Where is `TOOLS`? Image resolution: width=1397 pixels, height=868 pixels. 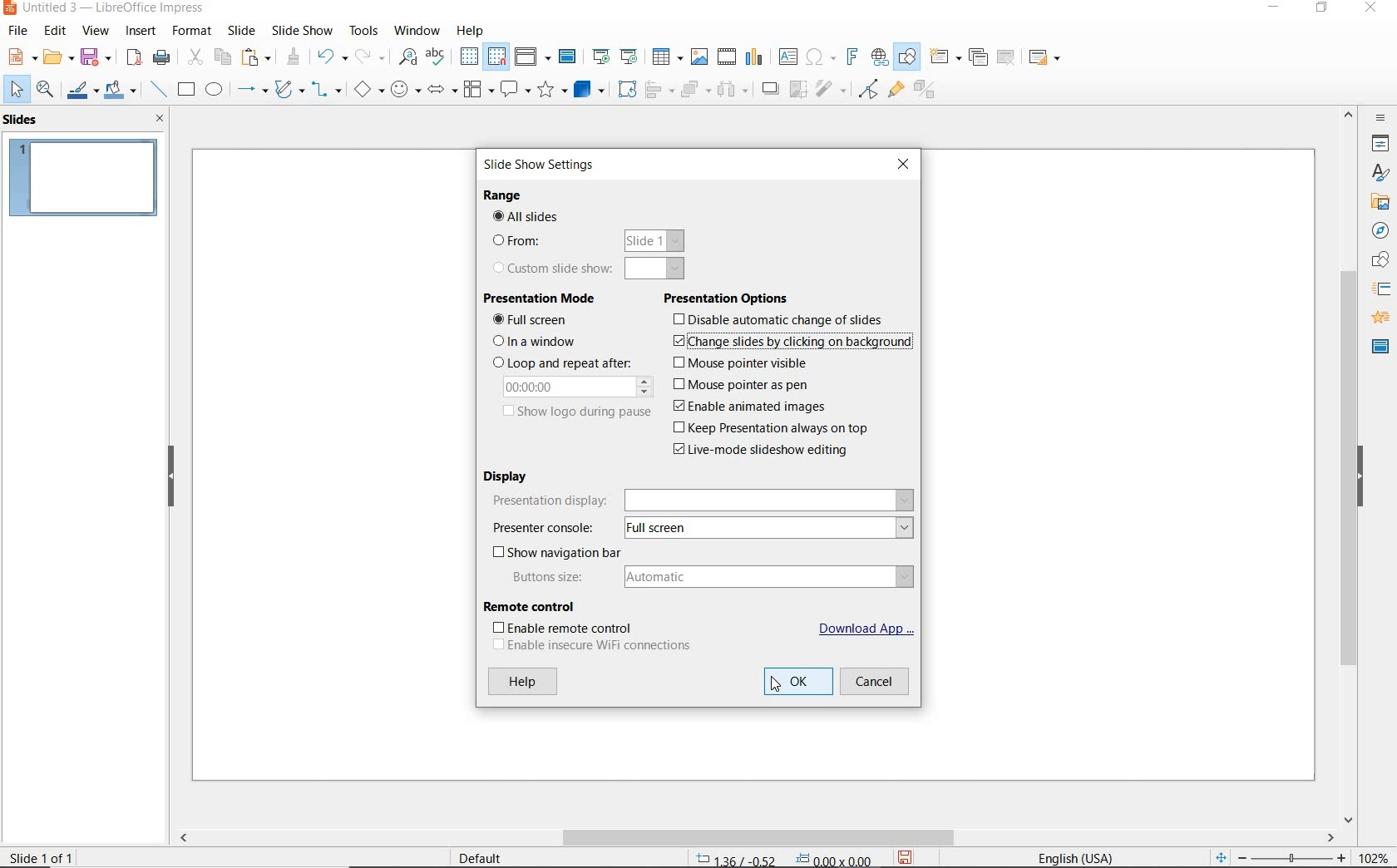 TOOLS is located at coordinates (364, 30).